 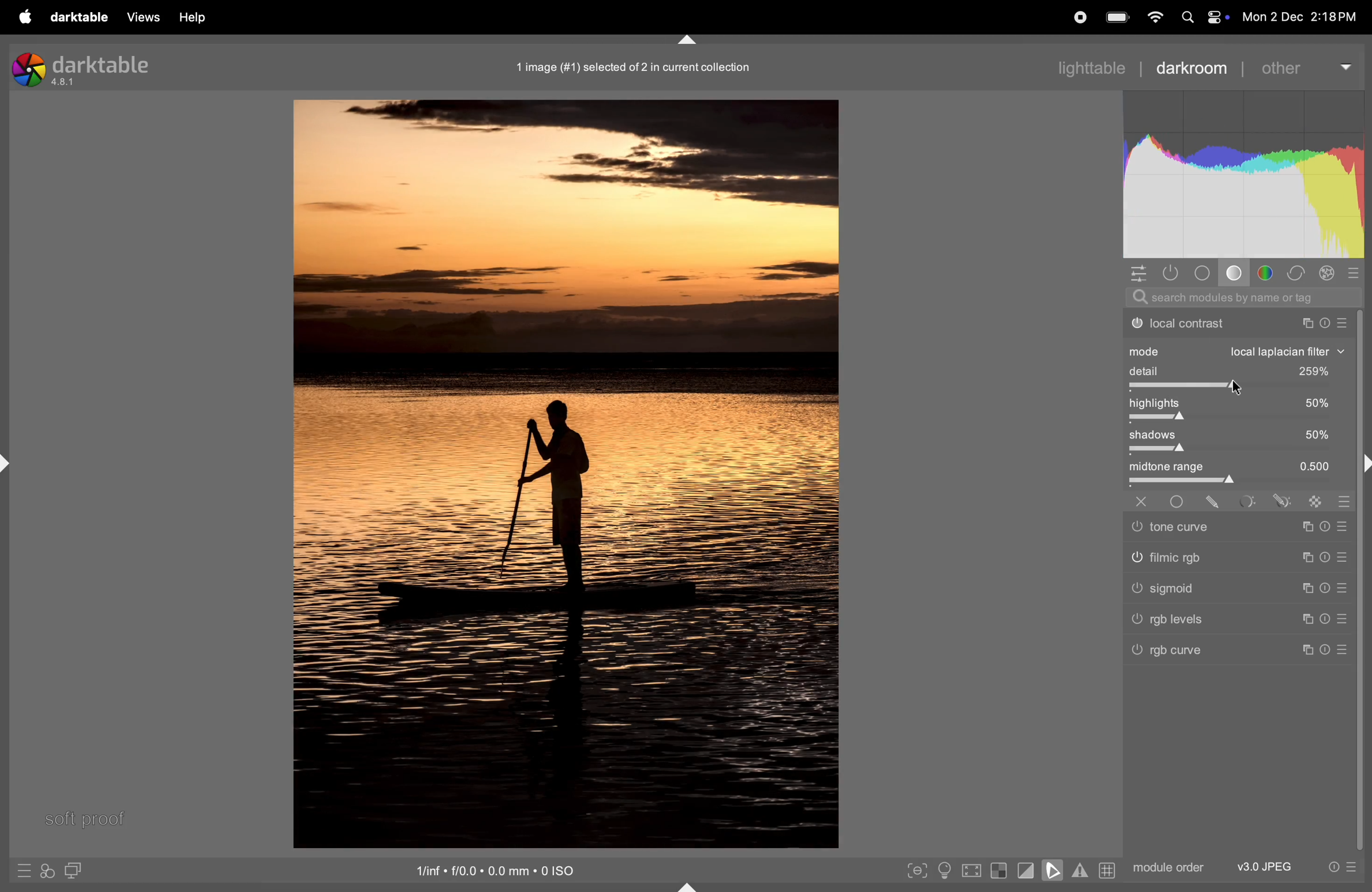 I want to click on task bar , so click(x=1363, y=582).